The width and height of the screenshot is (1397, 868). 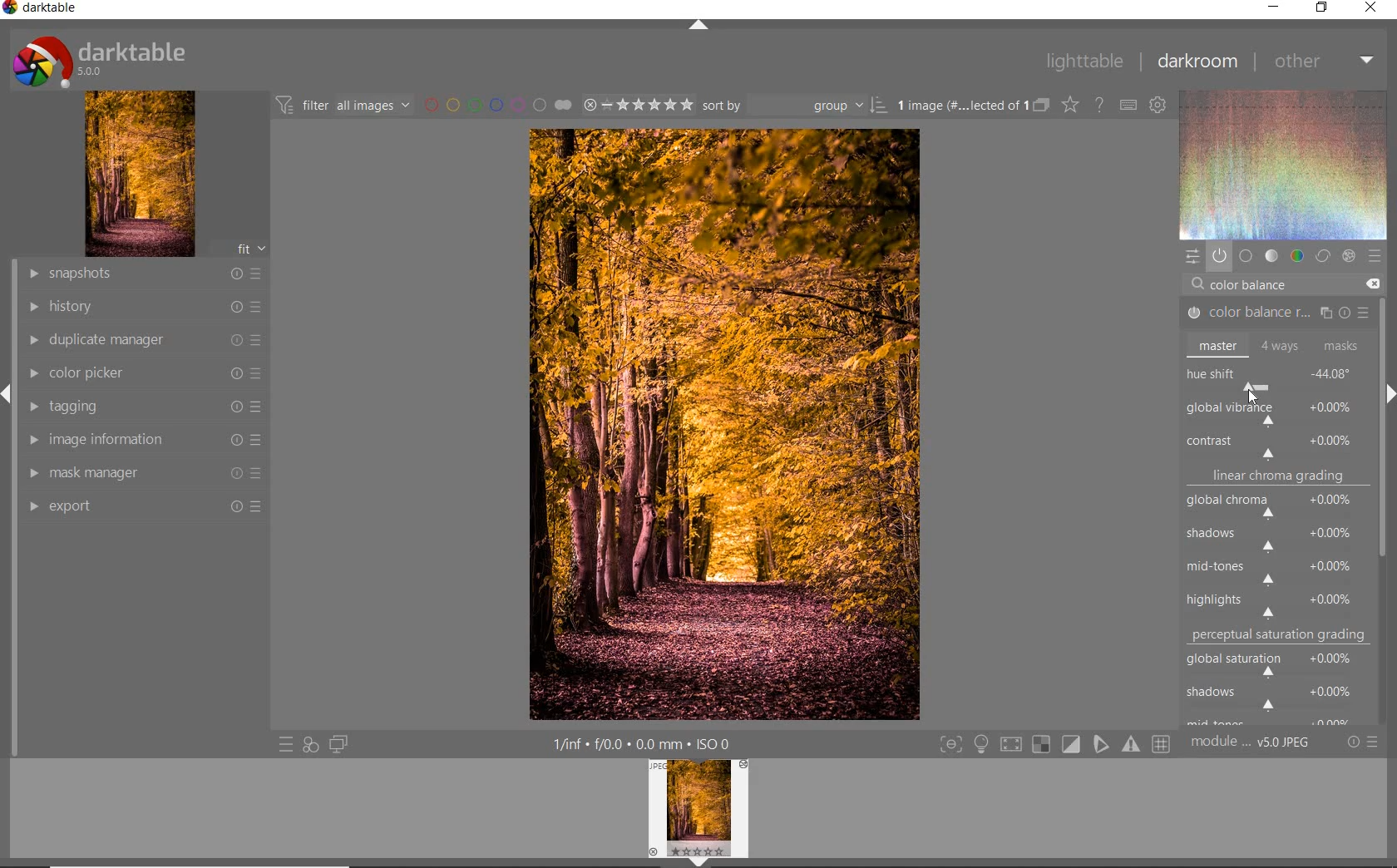 I want to click on toggle modes, so click(x=1051, y=744).